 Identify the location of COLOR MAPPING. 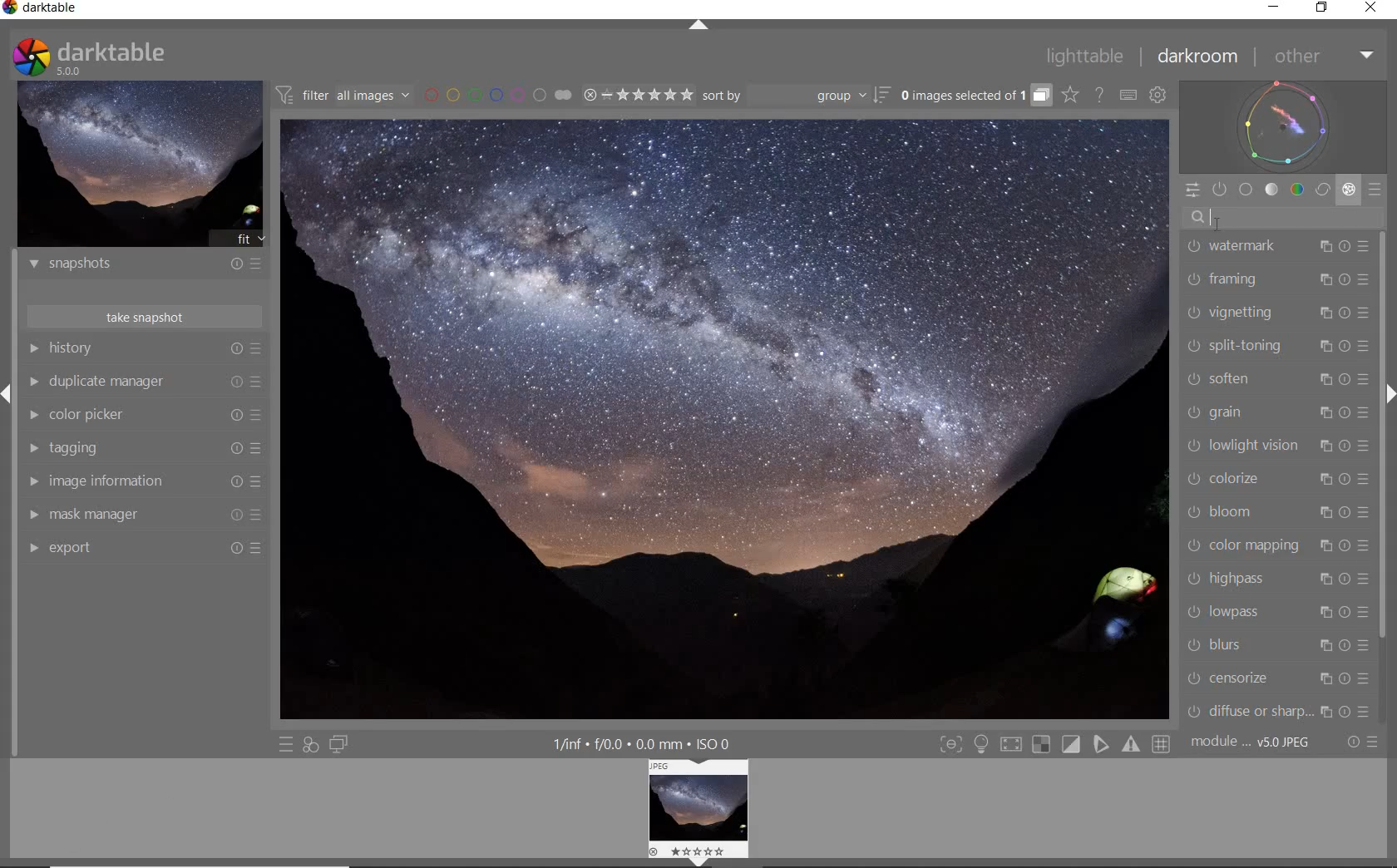
(1242, 547).